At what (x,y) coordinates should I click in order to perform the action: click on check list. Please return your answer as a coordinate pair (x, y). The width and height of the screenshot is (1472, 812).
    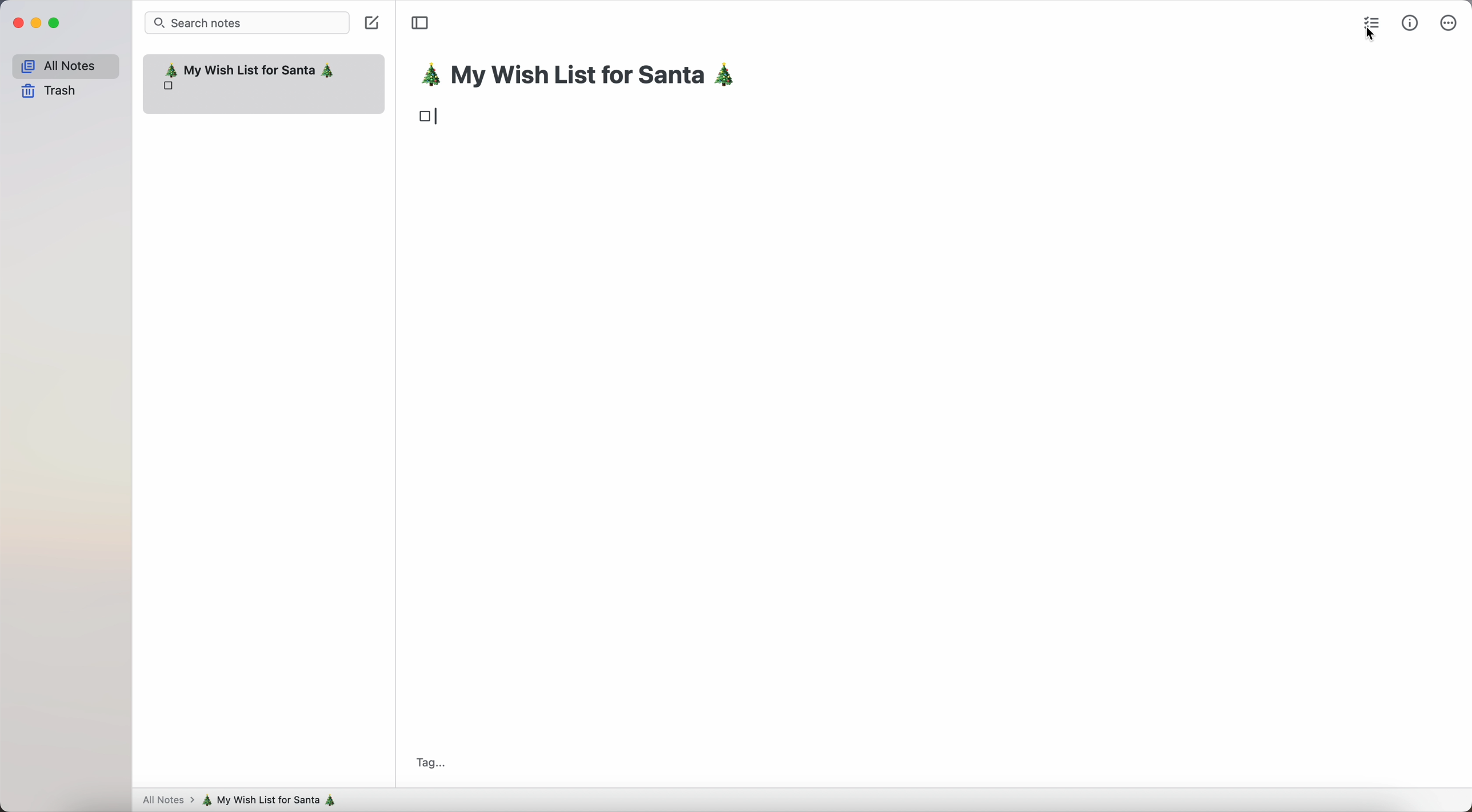
    Looking at the image, I should click on (1369, 22).